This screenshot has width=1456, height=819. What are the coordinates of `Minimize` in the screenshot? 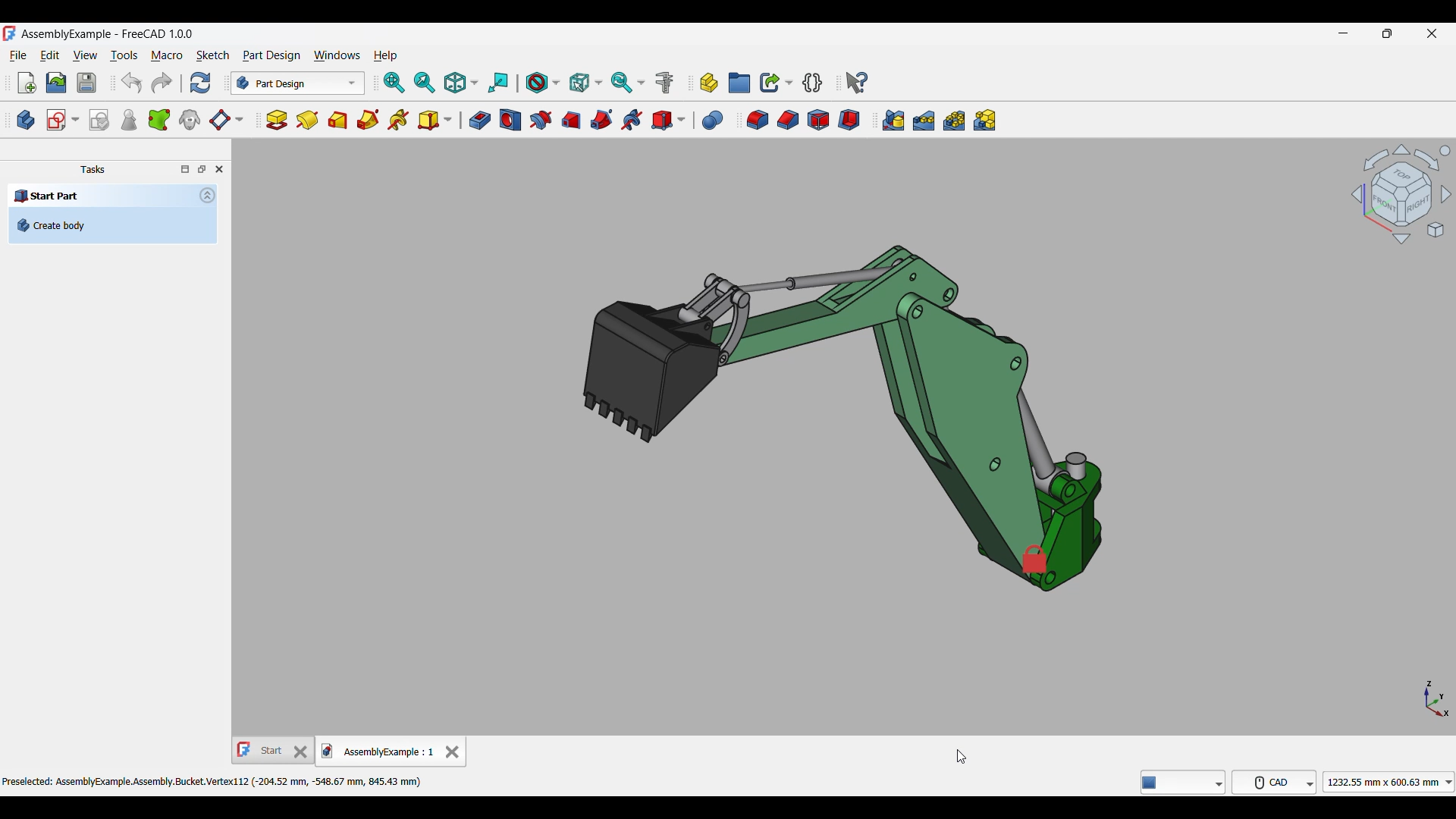 It's located at (1343, 33).